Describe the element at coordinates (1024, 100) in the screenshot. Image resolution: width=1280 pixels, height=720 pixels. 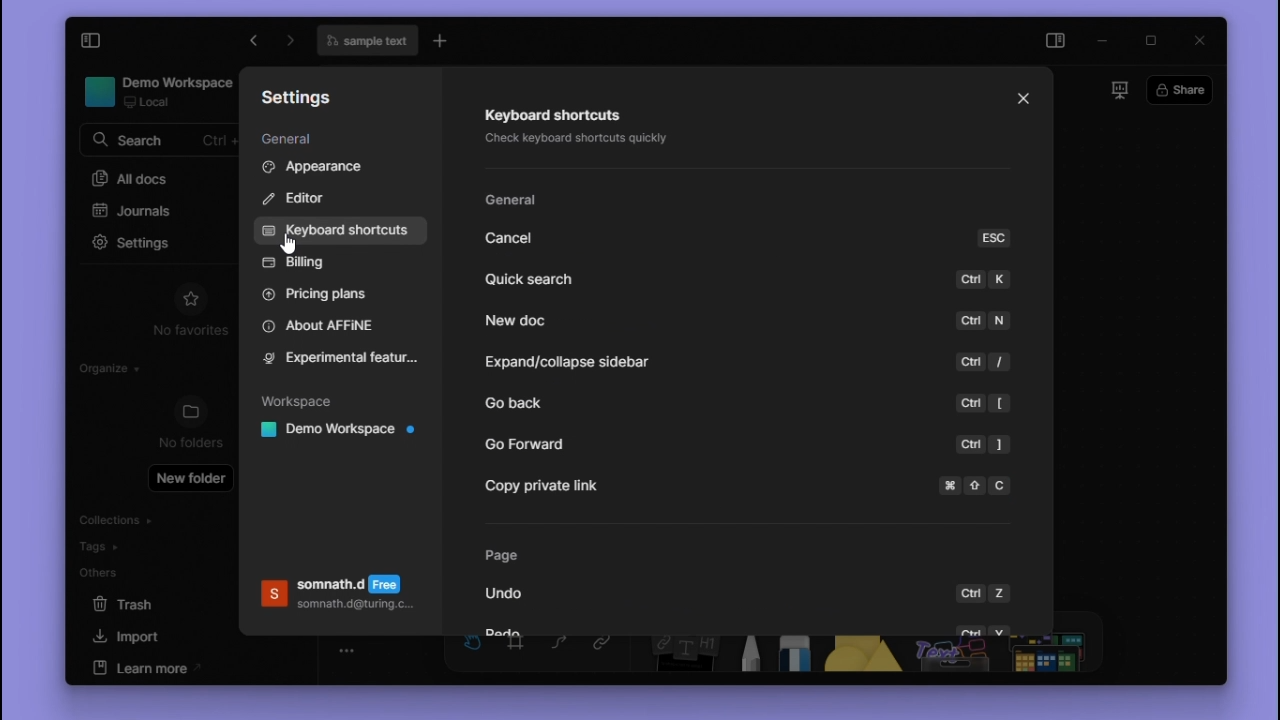
I see `Close` at that location.